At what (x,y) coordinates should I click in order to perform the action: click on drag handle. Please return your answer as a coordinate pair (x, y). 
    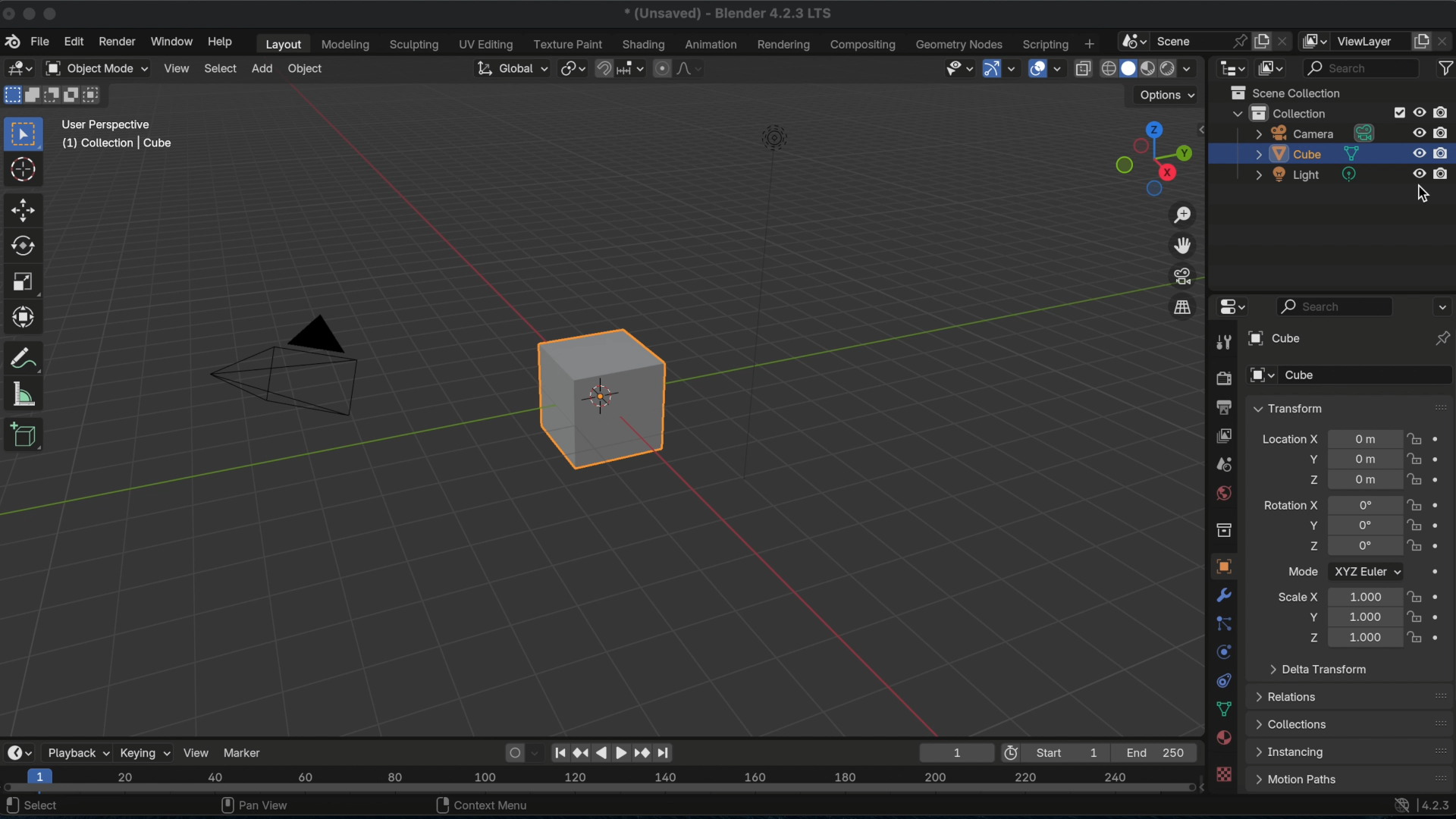
    Looking at the image, I should click on (1439, 723).